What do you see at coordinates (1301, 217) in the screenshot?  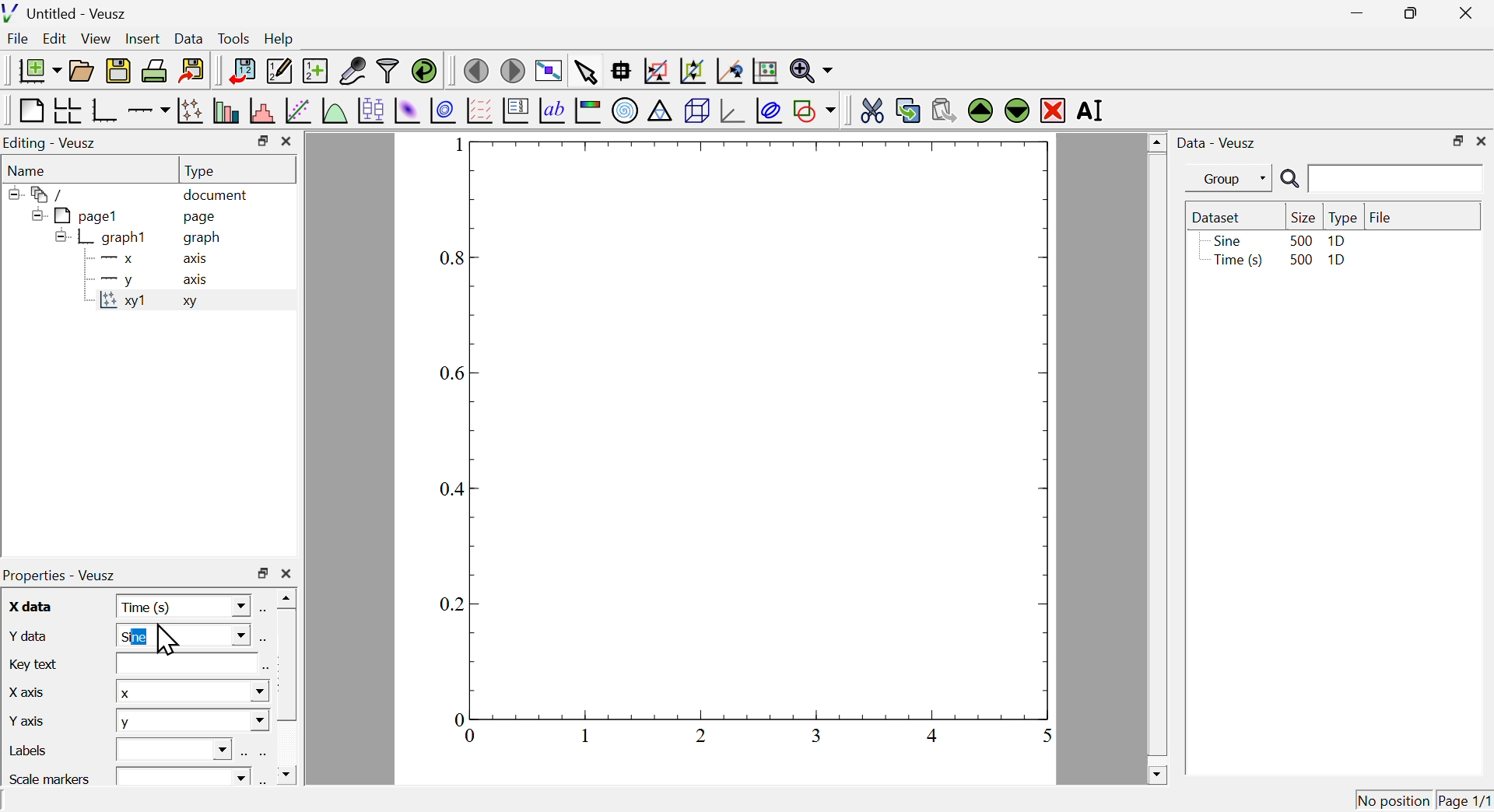 I see `size` at bounding box center [1301, 217].